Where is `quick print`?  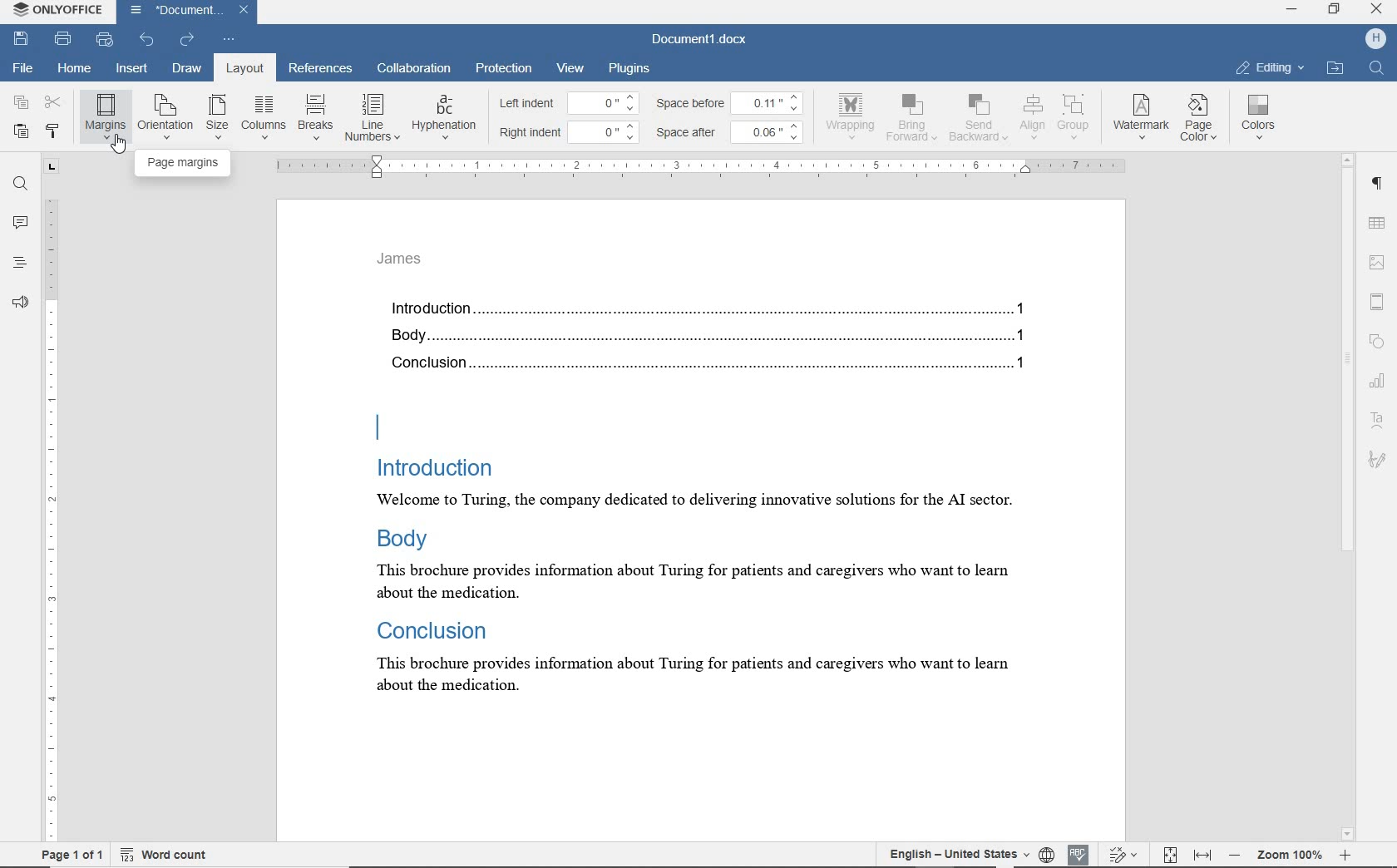 quick print is located at coordinates (106, 42).